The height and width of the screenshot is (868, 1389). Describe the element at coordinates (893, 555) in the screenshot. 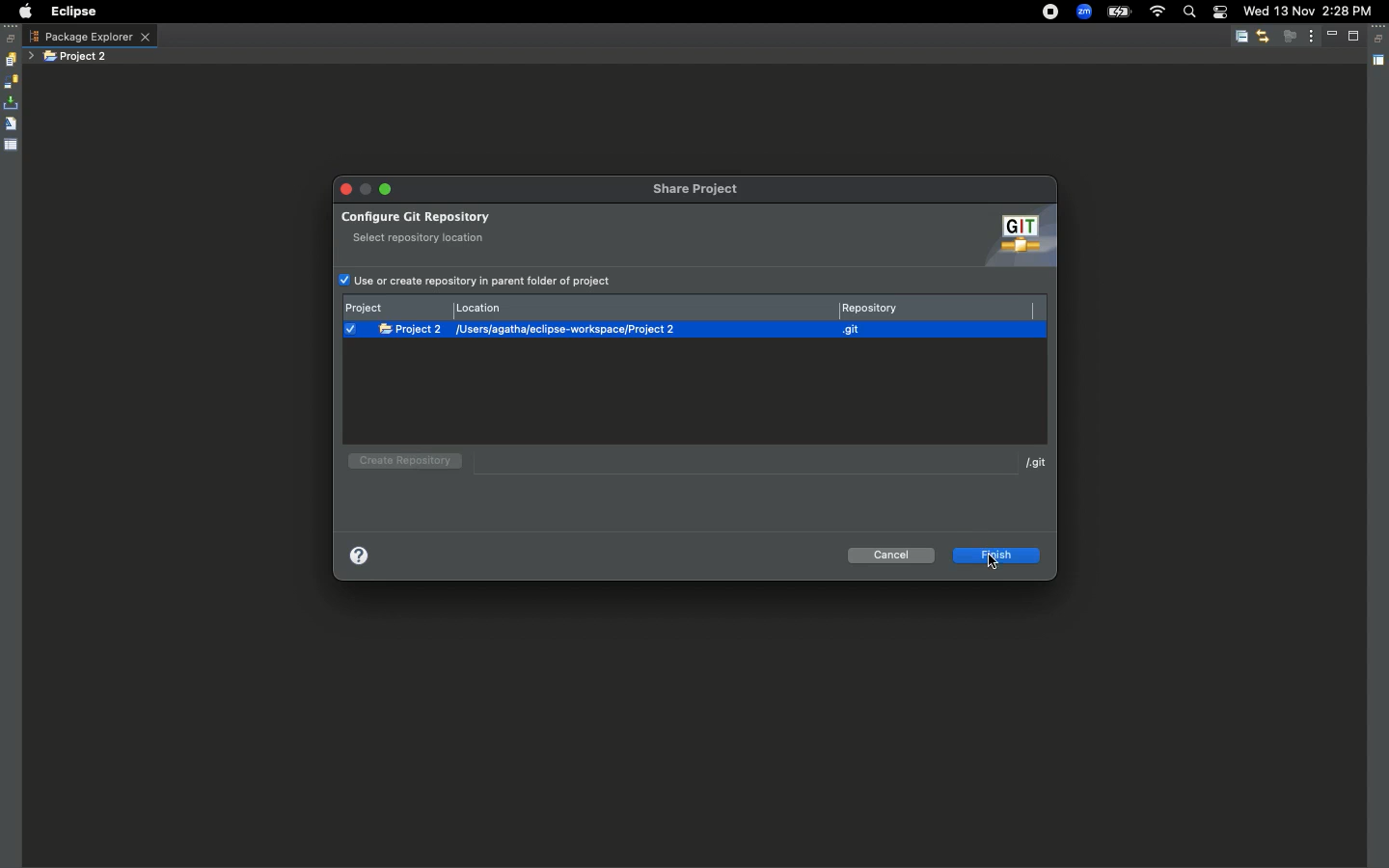

I see `Cancel` at that location.